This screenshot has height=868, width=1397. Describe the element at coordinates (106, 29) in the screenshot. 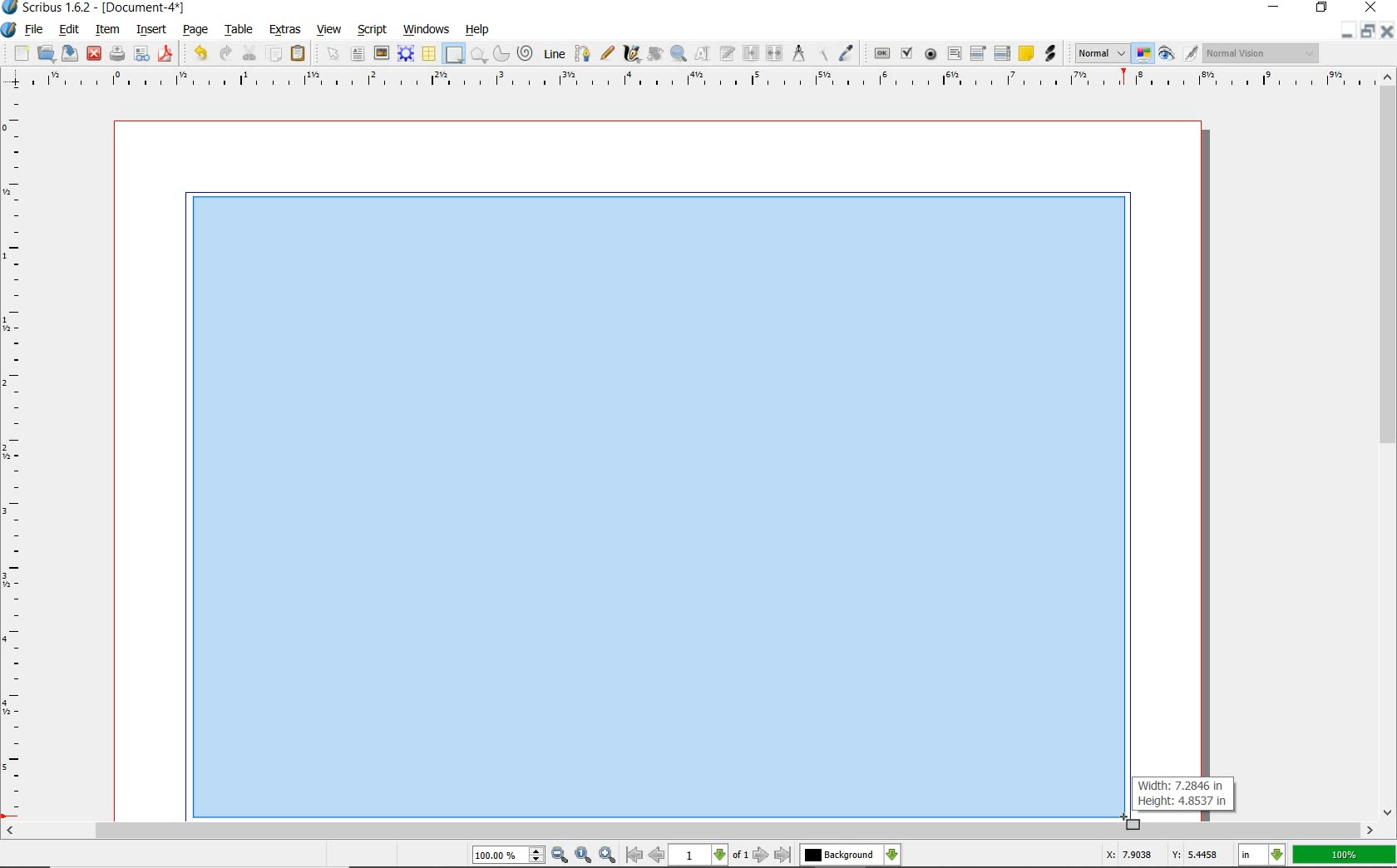

I see `item` at that location.